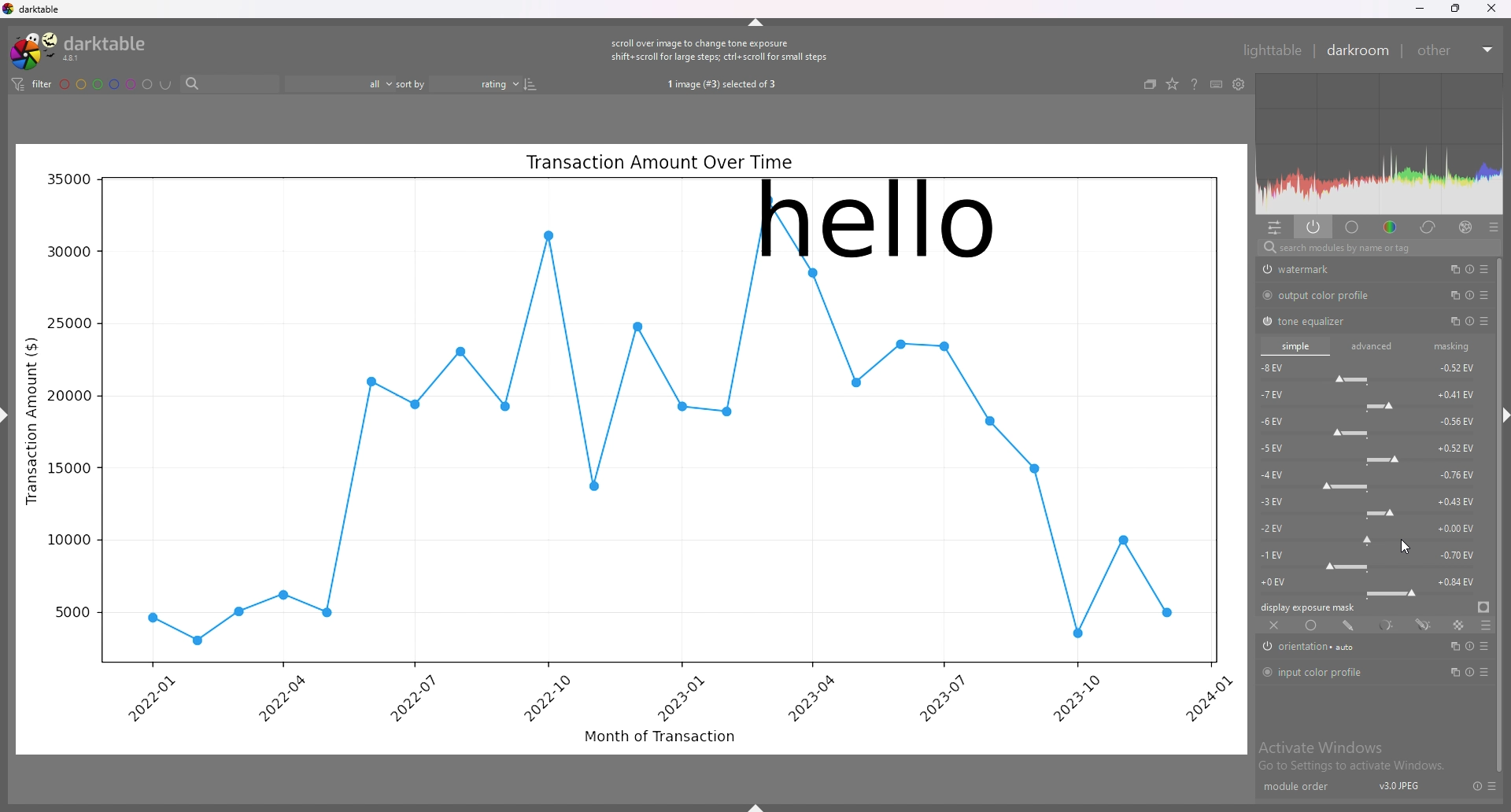  I want to click on switch off/on, so click(1265, 295).